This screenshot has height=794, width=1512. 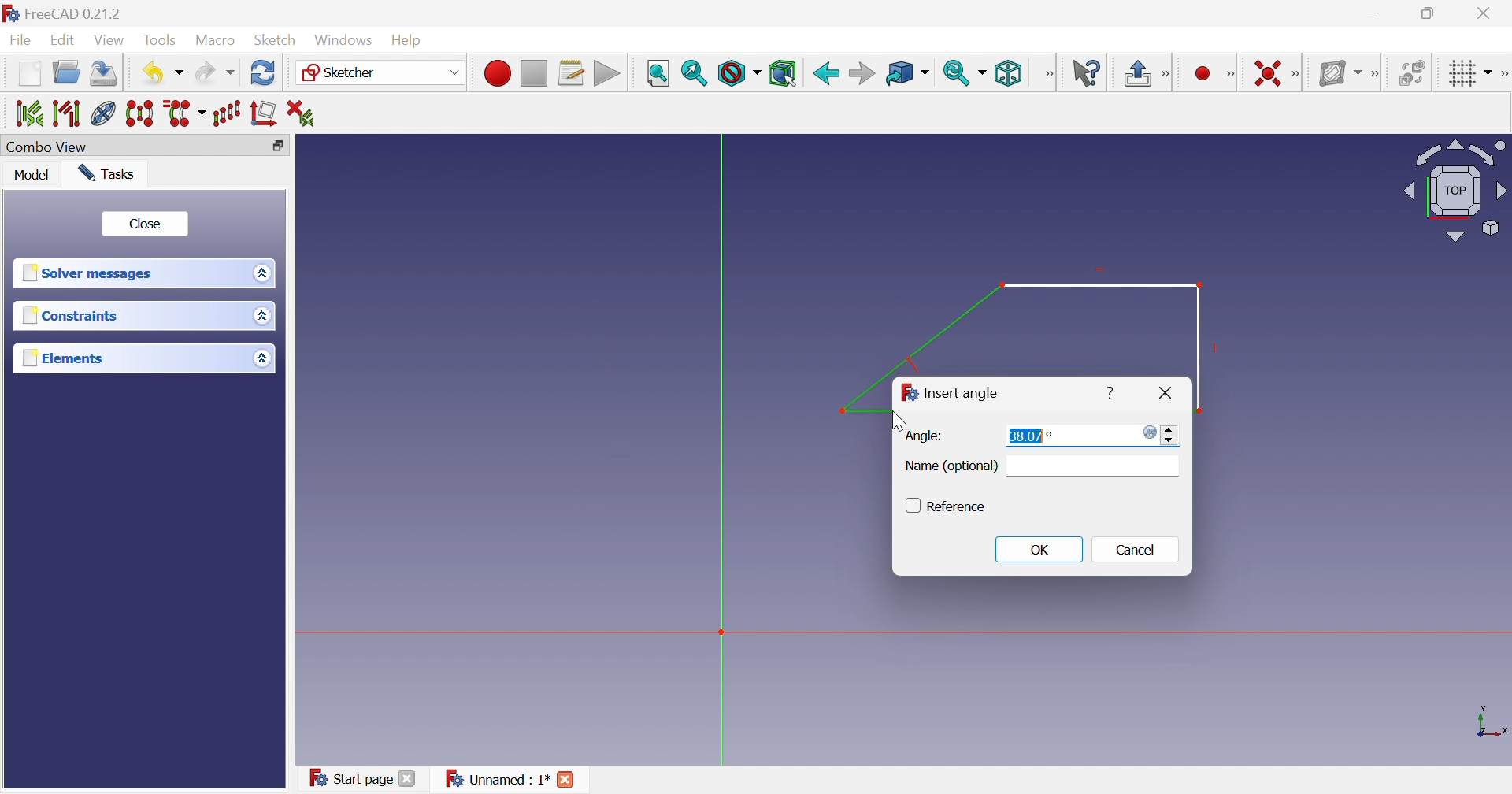 What do you see at coordinates (277, 146) in the screenshot?
I see `Change view` at bounding box center [277, 146].